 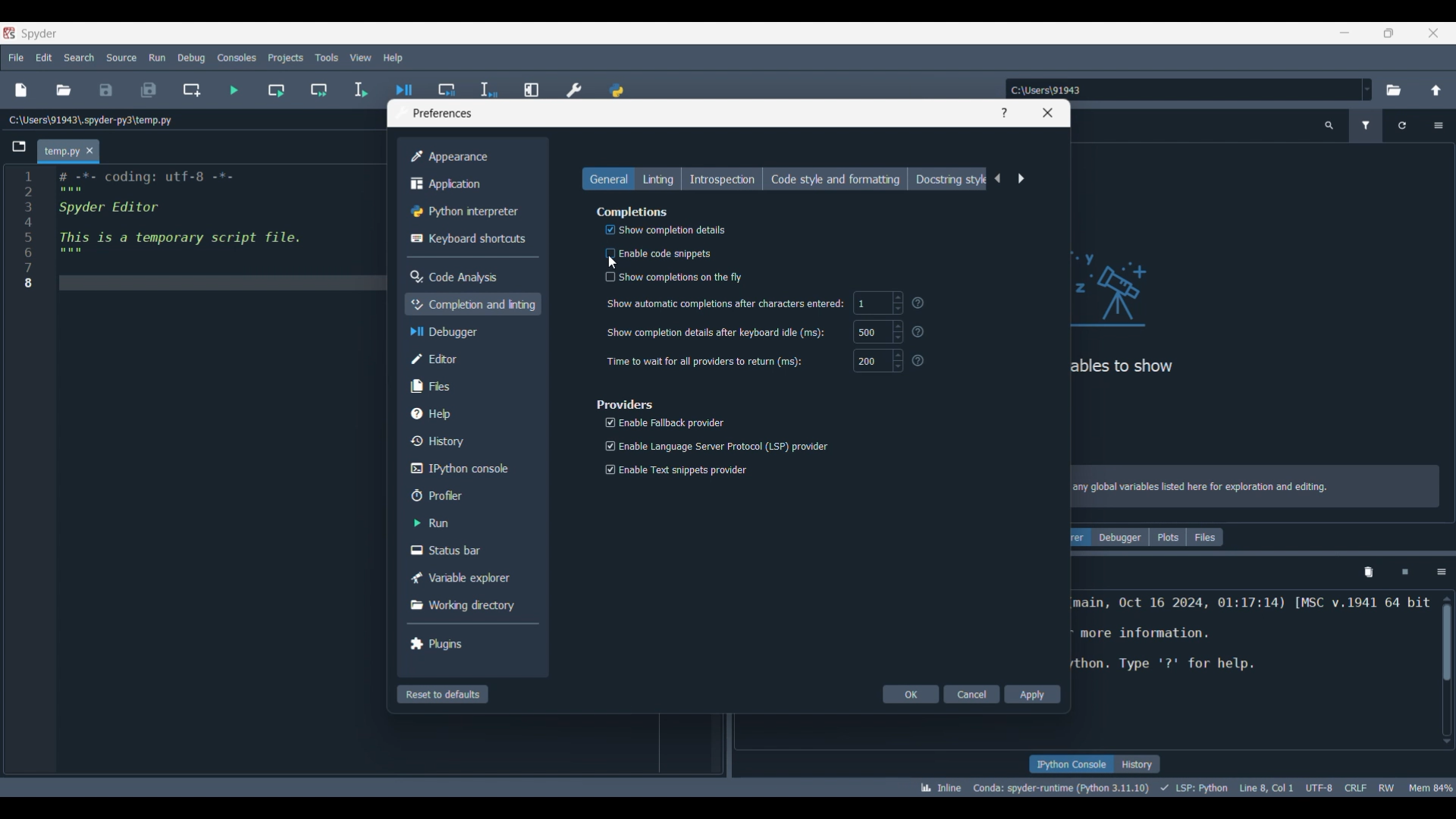 I want to click on Python interpreter, so click(x=469, y=212).